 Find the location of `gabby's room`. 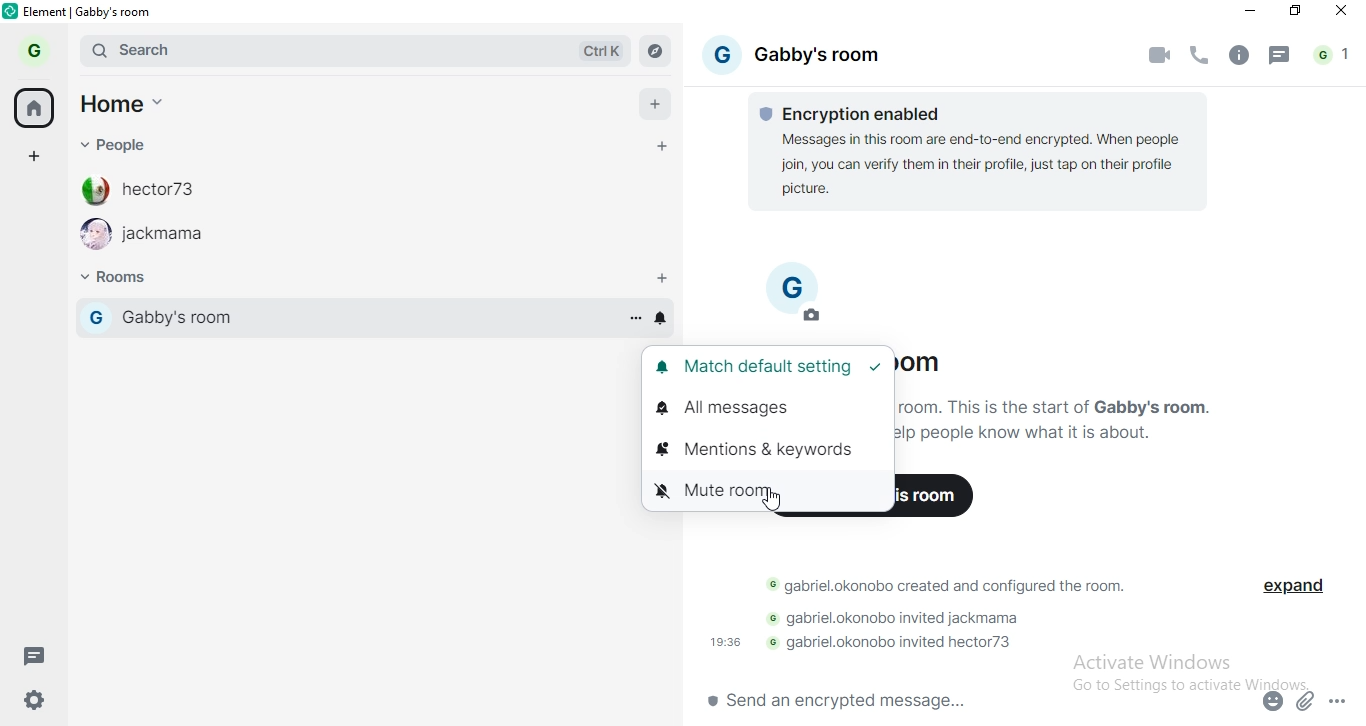

gabby's room is located at coordinates (351, 322).